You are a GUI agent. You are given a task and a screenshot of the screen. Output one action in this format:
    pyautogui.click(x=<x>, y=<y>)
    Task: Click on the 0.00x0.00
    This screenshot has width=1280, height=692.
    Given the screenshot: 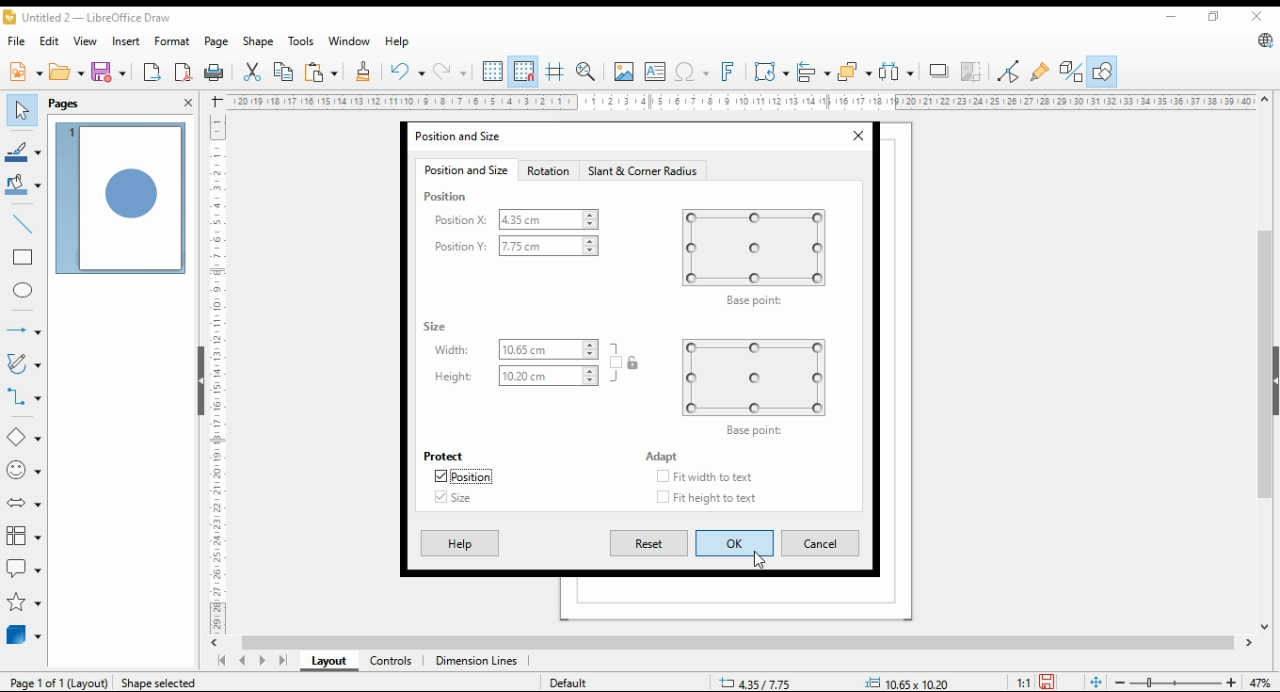 What is the action you would take?
    pyautogui.click(x=904, y=683)
    